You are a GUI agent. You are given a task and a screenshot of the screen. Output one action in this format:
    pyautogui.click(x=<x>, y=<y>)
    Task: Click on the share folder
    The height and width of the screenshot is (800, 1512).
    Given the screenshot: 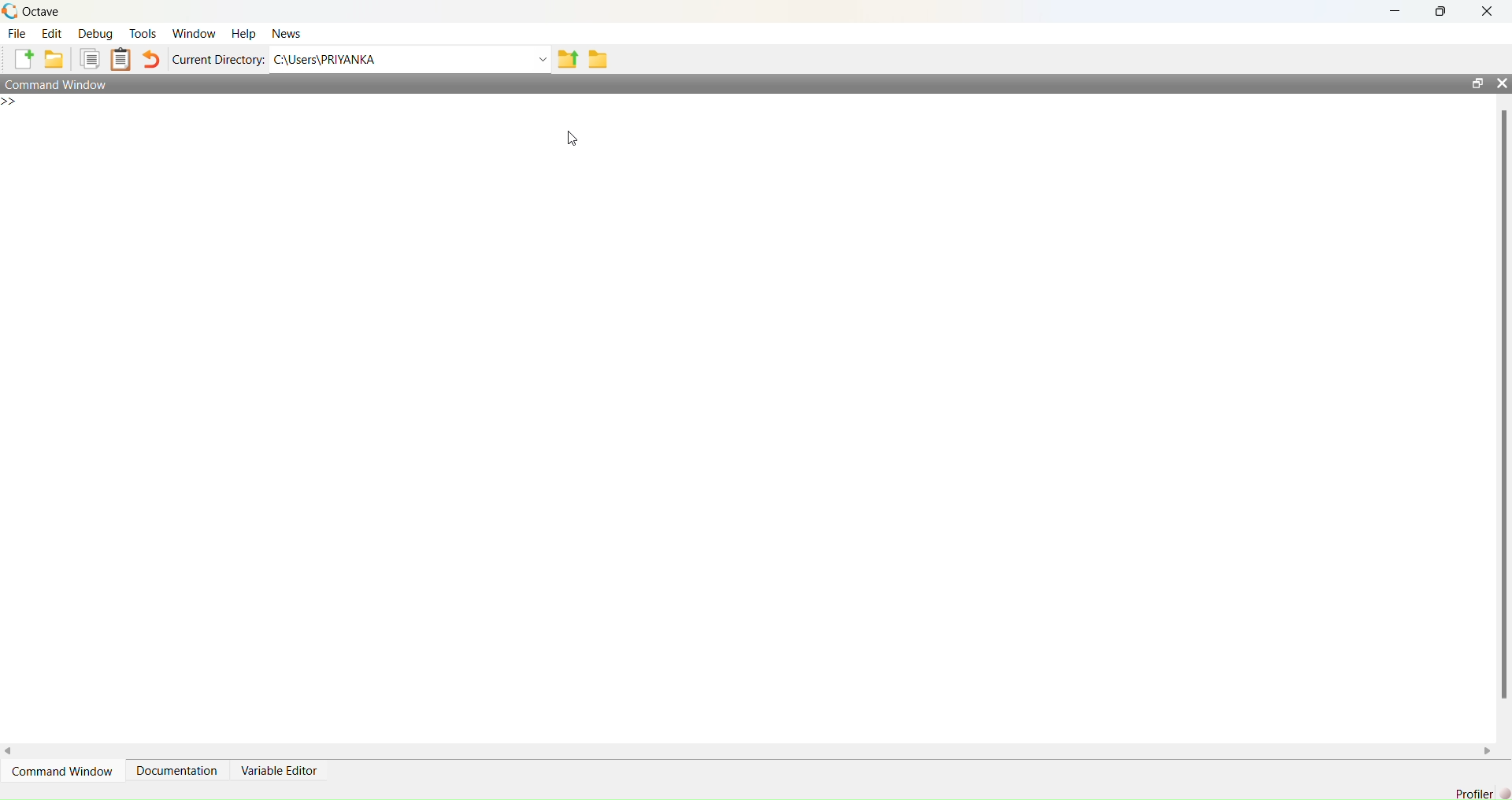 What is the action you would take?
    pyautogui.click(x=569, y=59)
    